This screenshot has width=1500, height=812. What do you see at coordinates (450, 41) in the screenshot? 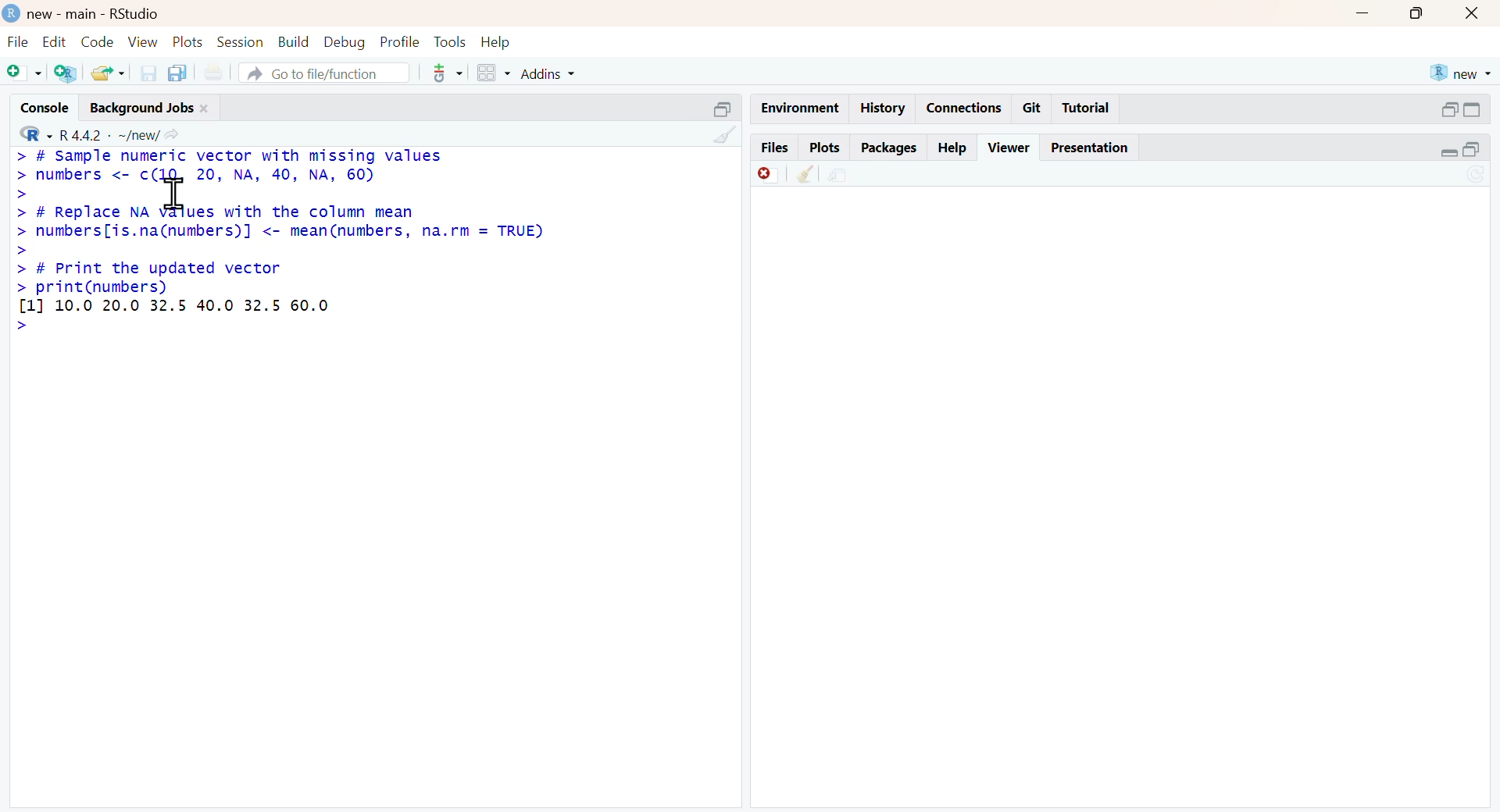
I see `tools` at bounding box center [450, 41].